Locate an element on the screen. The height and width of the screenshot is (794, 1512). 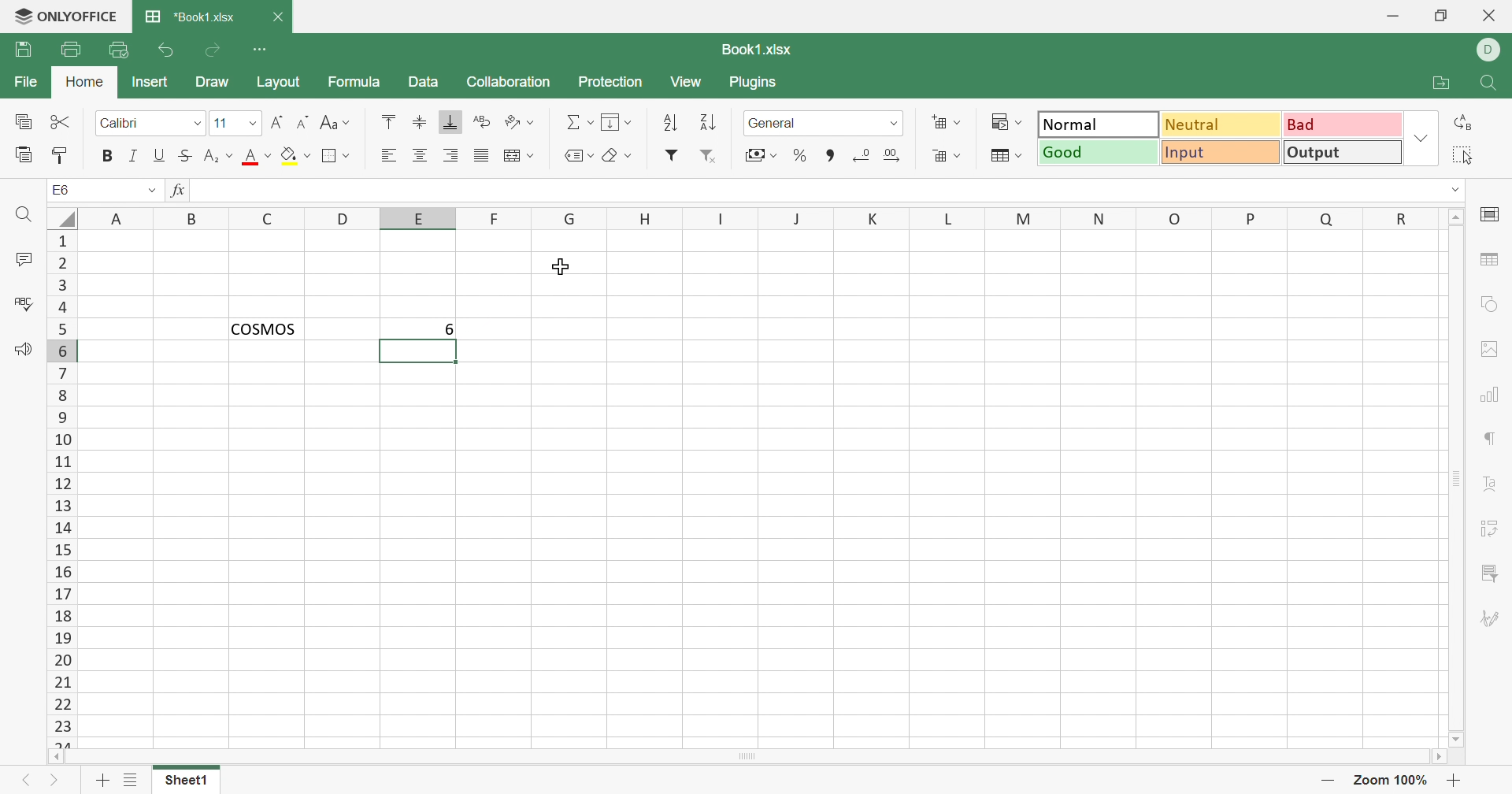
Restore down is located at coordinates (1445, 17).